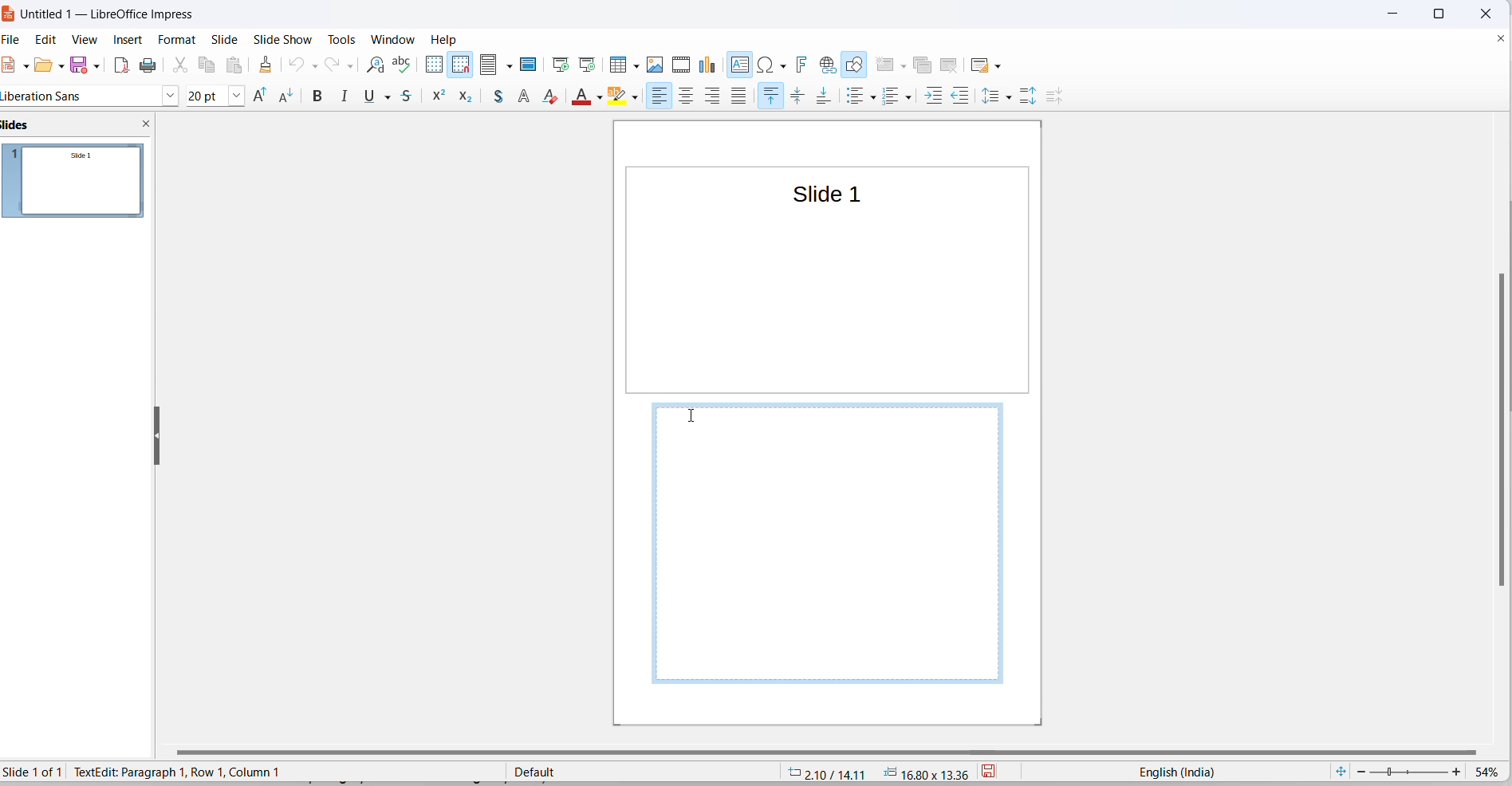  What do you see at coordinates (635, 68) in the screenshot?
I see `table grid` at bounding box center [635, 68].